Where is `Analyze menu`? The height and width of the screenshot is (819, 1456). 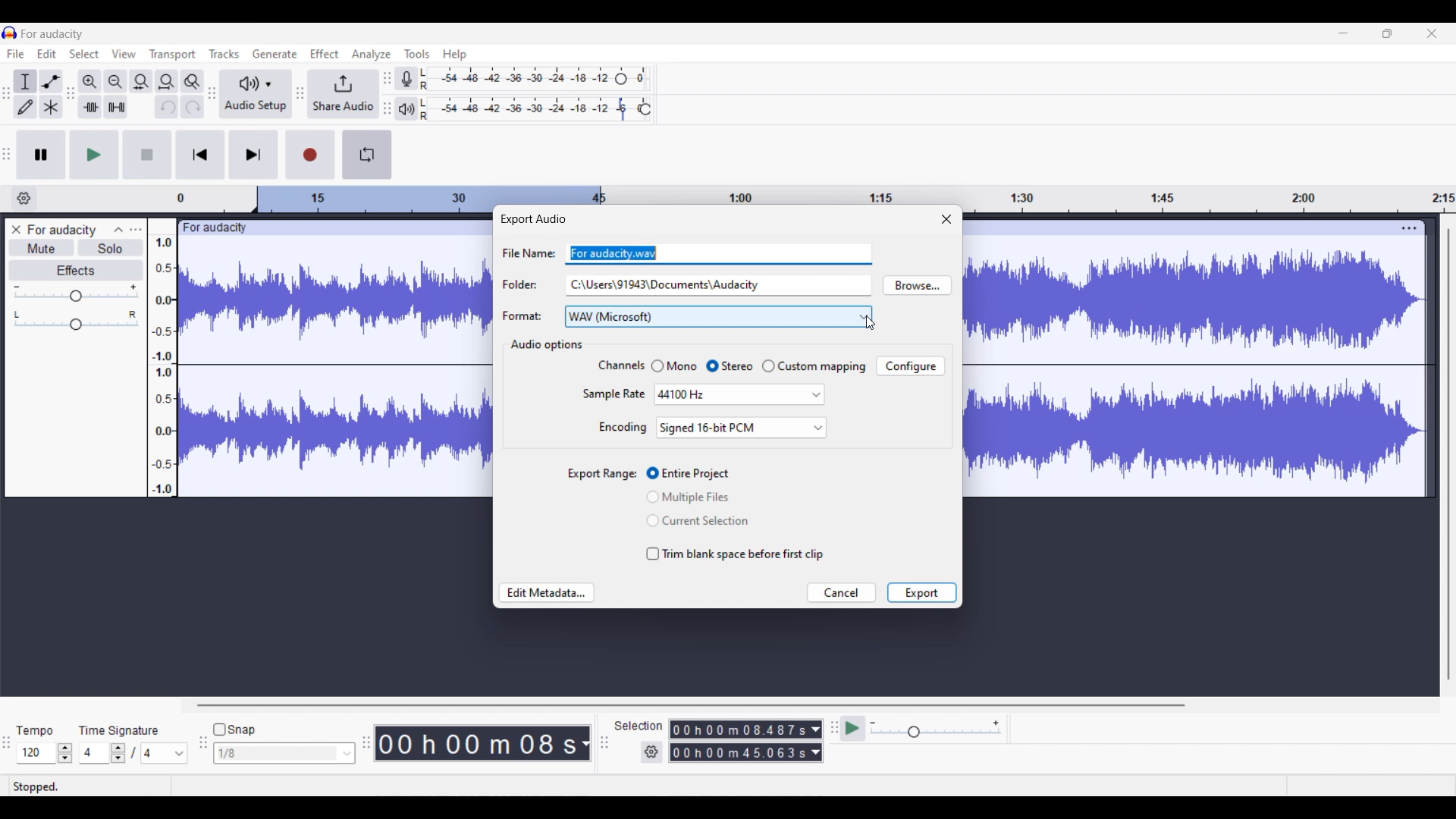
Analyze menu is located at coordinates (372, 55).